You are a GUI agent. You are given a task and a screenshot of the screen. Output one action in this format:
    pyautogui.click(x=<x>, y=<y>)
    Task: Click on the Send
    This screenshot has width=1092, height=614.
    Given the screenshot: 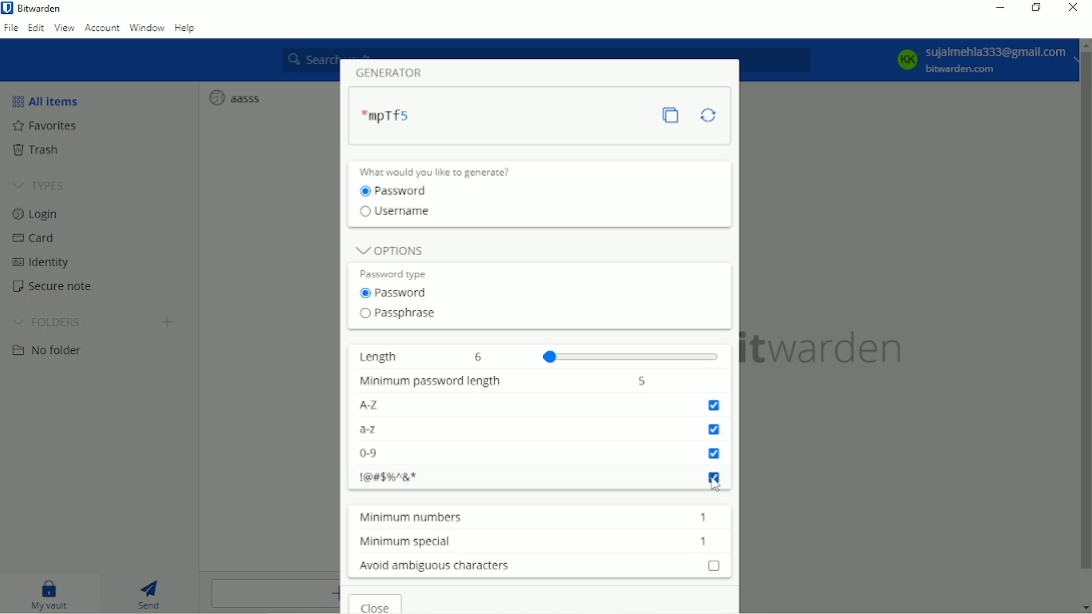 What is the action you would take?
    pyautogui.click(x=152, y=592)
    